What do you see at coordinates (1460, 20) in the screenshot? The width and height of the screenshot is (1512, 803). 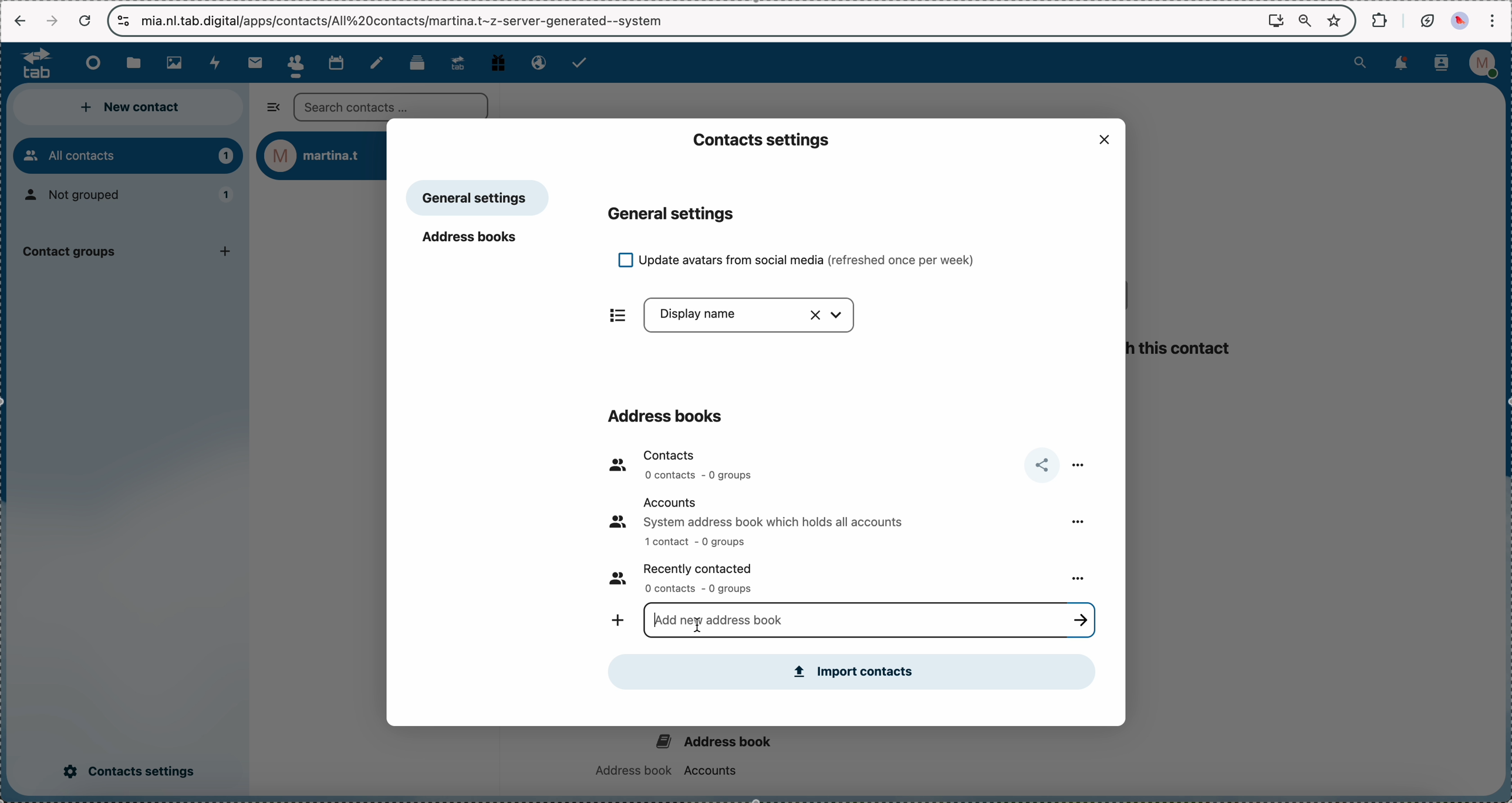 I see `profile picture` at bounding box center [1460, 20].